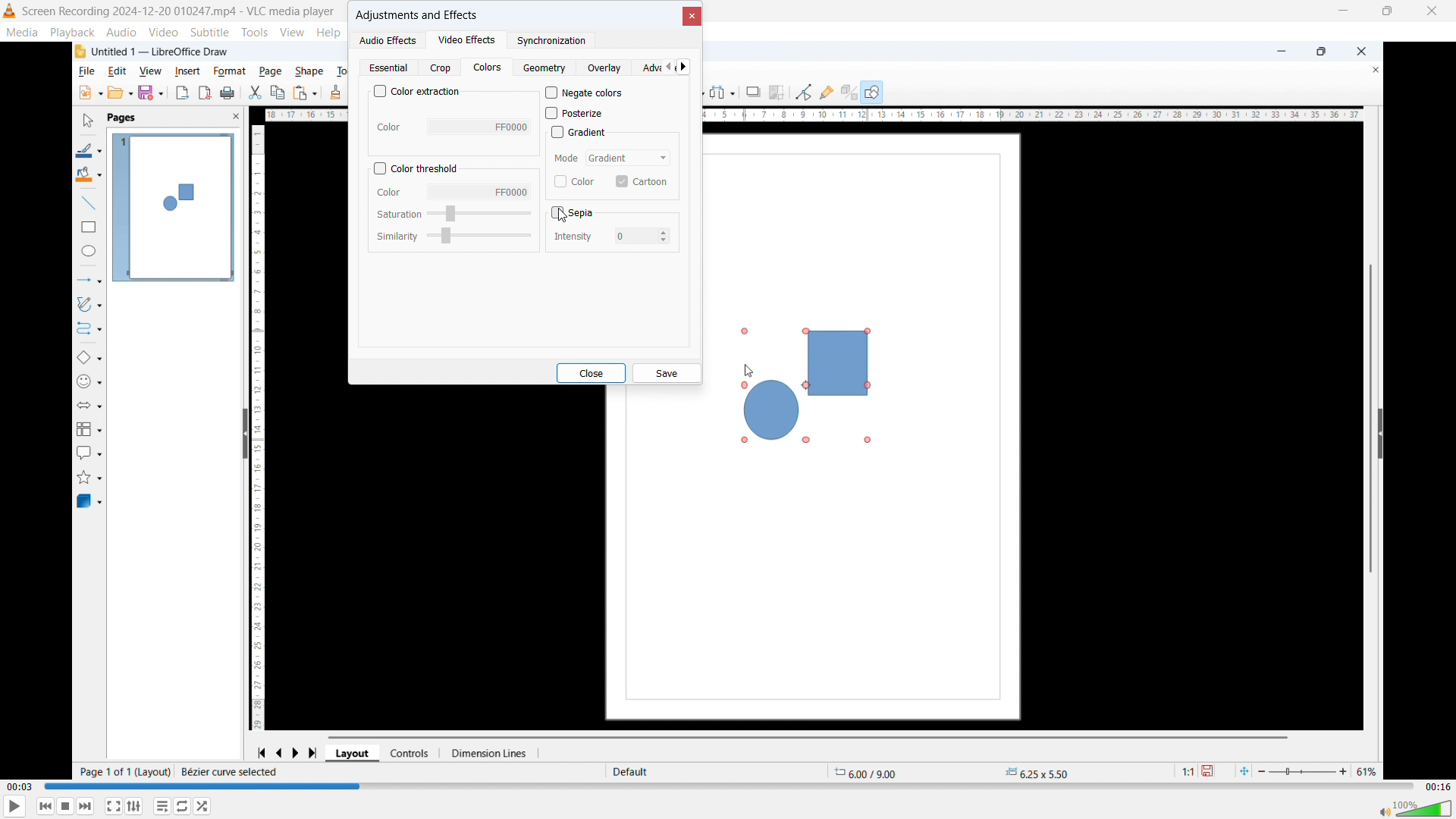  I want to click on Colours , so click(488, 67).